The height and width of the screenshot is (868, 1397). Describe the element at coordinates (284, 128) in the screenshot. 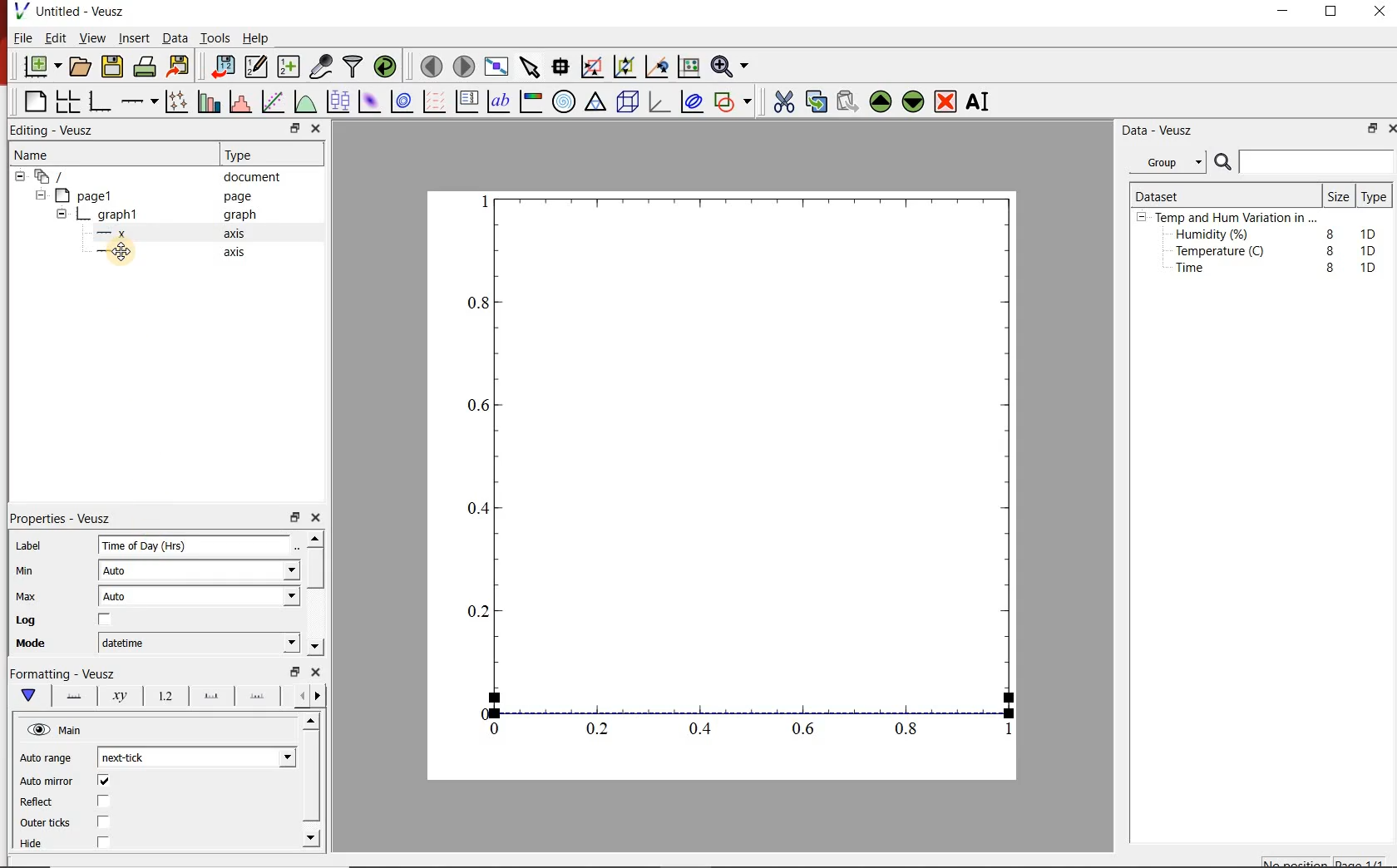

I see `restore down` at that location.